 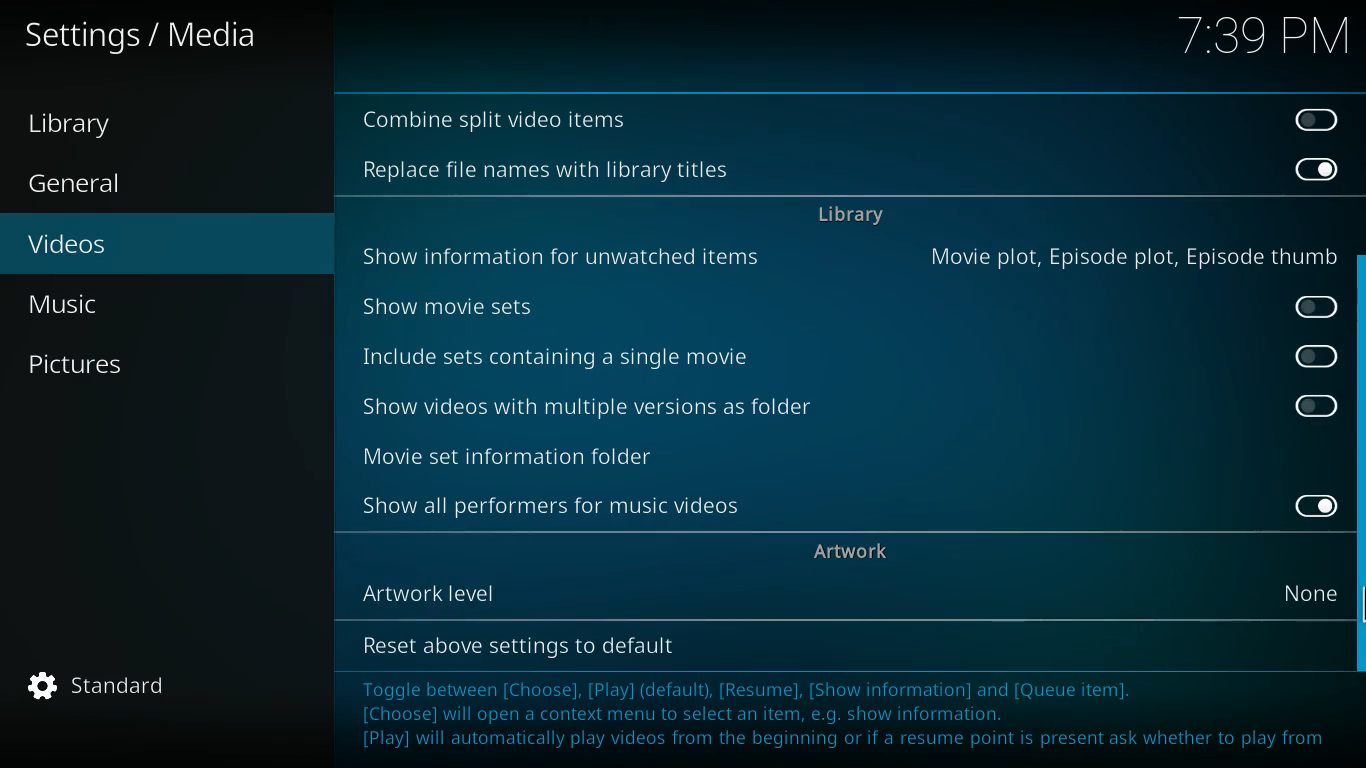 What do you see at coordinates (518, 646) in the screenshot?
I see `reset above setting to default` at bounding box center [518, 646].